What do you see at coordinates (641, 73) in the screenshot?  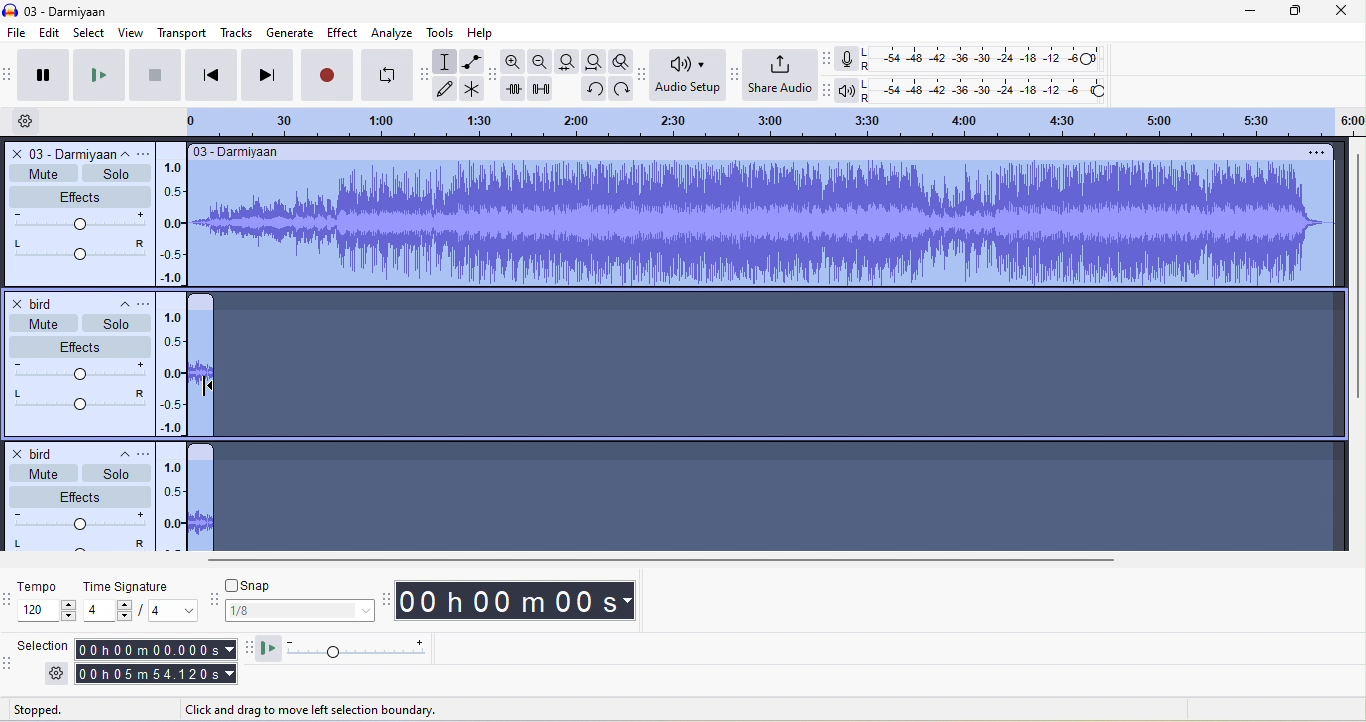 I see `audacity audio setup toolbar` at bounding box center [641, 73].